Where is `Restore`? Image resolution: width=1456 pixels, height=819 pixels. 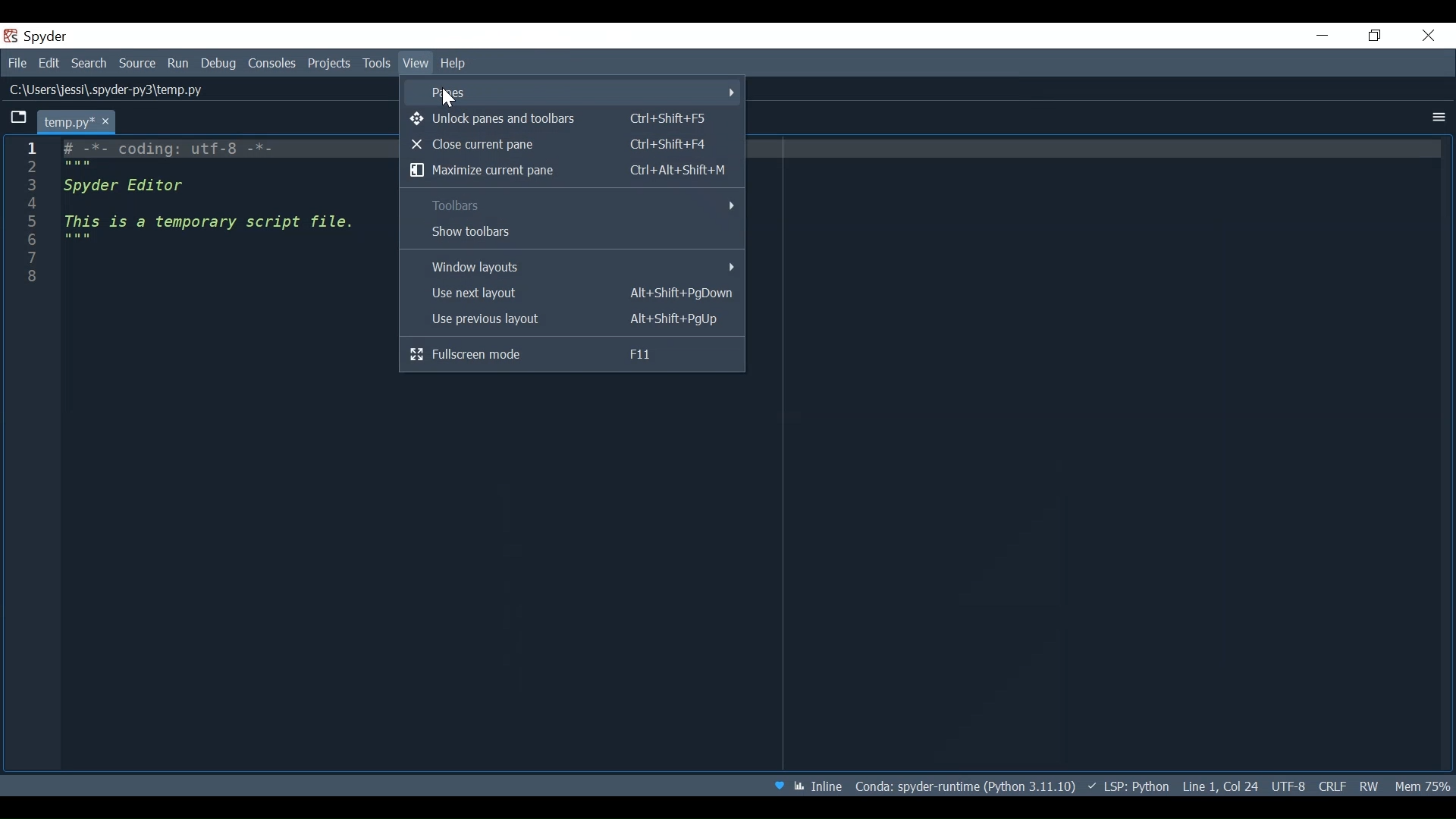 Restore is located at coordinates (1375, 36).